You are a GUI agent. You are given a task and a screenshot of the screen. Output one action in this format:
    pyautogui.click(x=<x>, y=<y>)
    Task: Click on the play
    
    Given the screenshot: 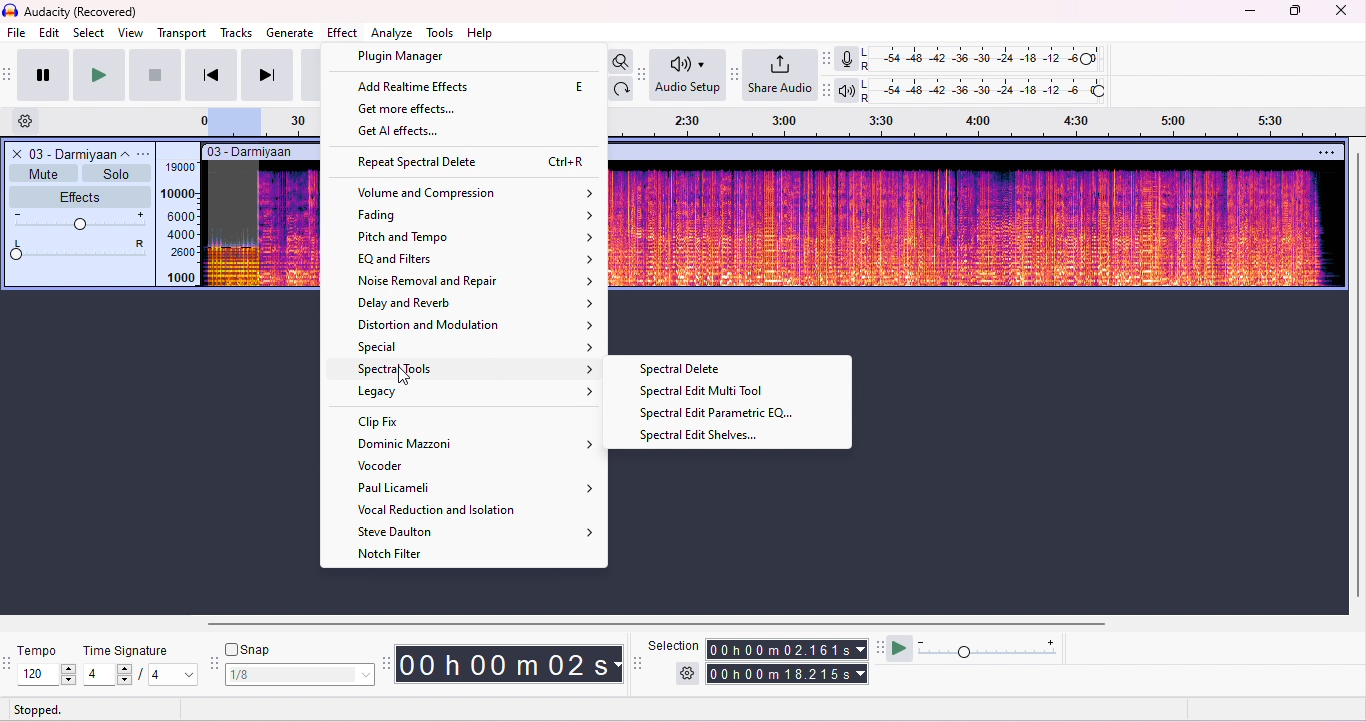 What is the action you would take?
    pyautogui.click(x=98, y=75)
    